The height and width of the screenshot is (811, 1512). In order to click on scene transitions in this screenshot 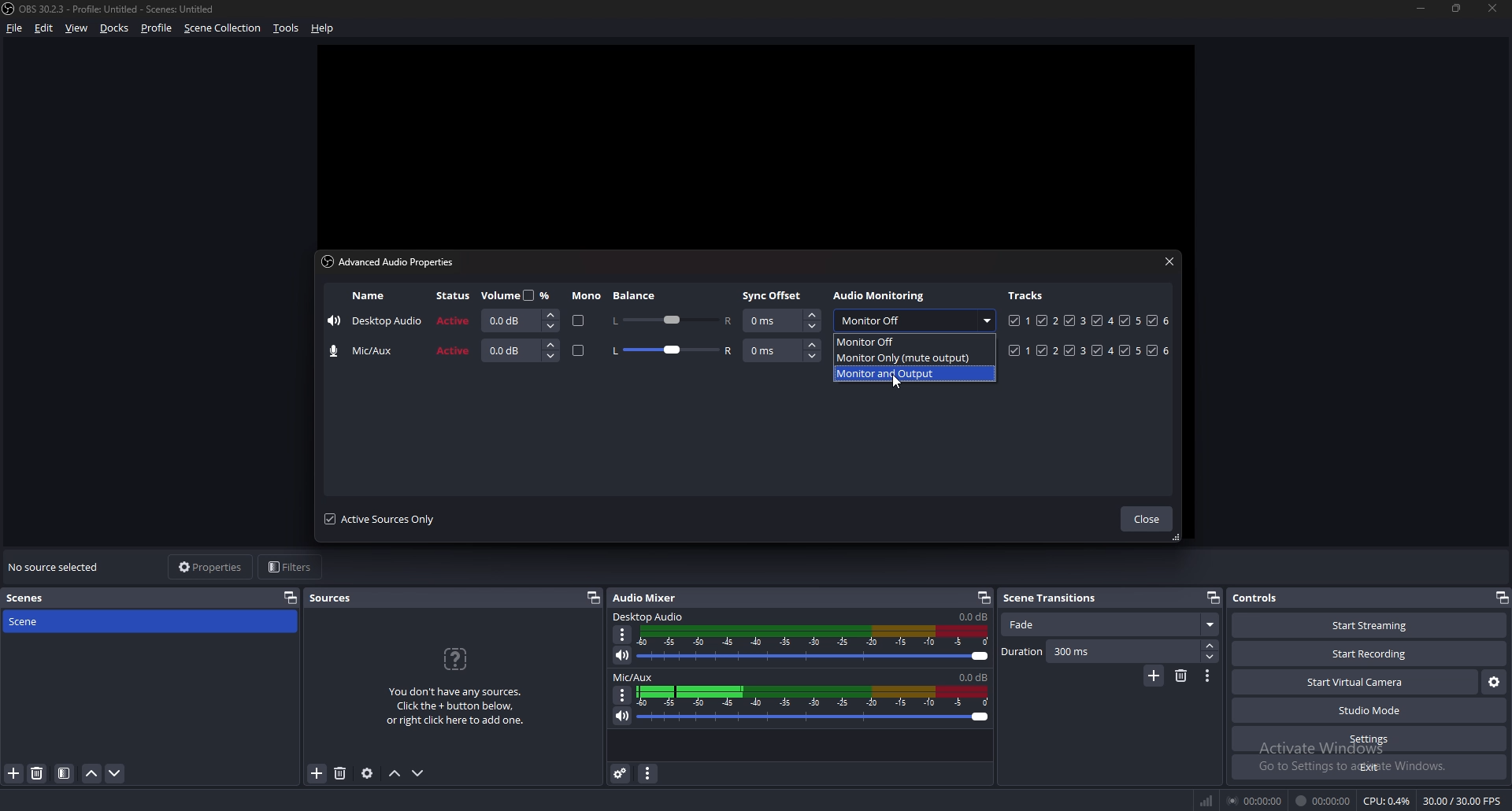, I will do `click(1058, 597)`.